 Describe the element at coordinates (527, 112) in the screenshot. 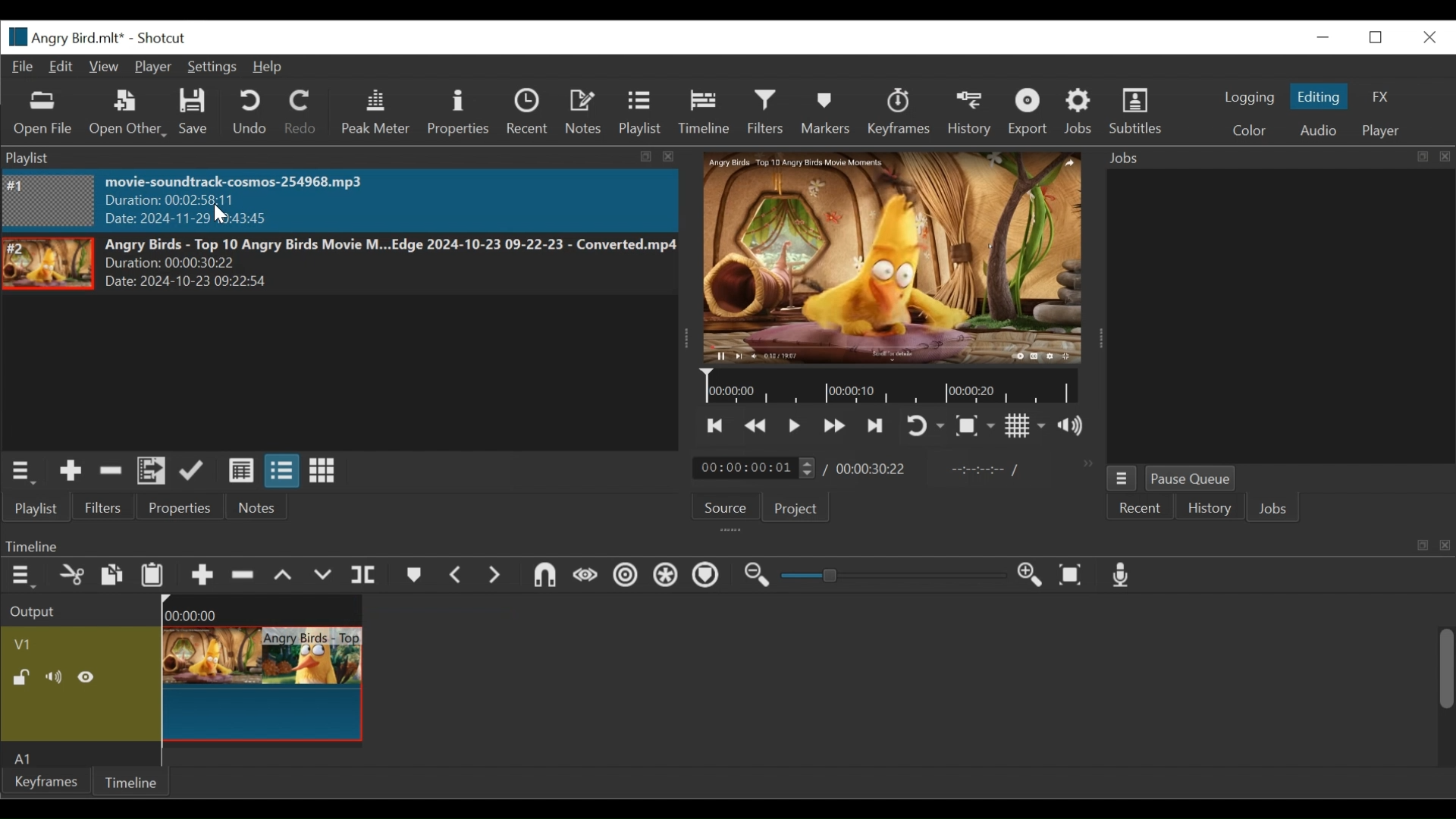

I see `Recent` at that location.